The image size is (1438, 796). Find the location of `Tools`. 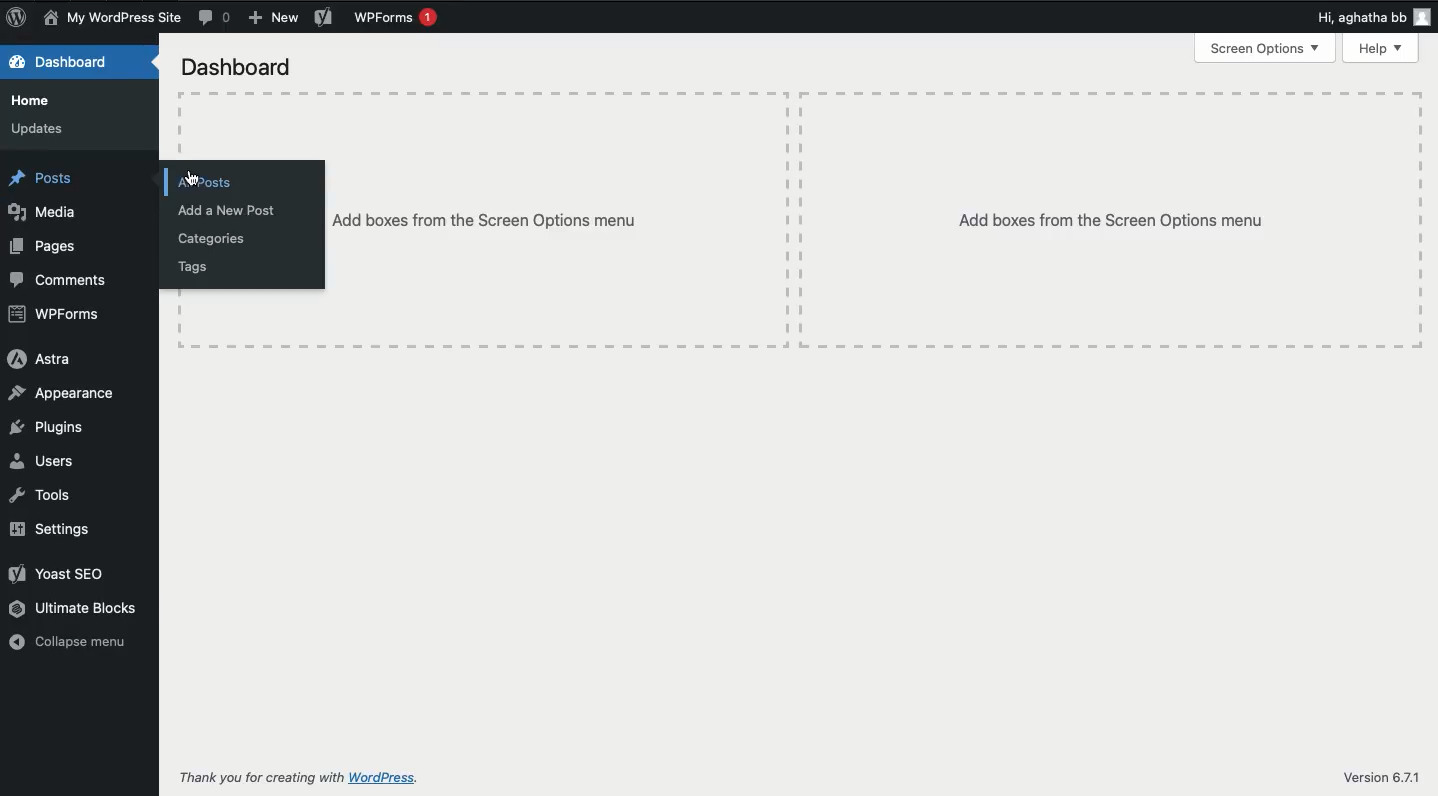

Tools is located at coordinates (45, 495).